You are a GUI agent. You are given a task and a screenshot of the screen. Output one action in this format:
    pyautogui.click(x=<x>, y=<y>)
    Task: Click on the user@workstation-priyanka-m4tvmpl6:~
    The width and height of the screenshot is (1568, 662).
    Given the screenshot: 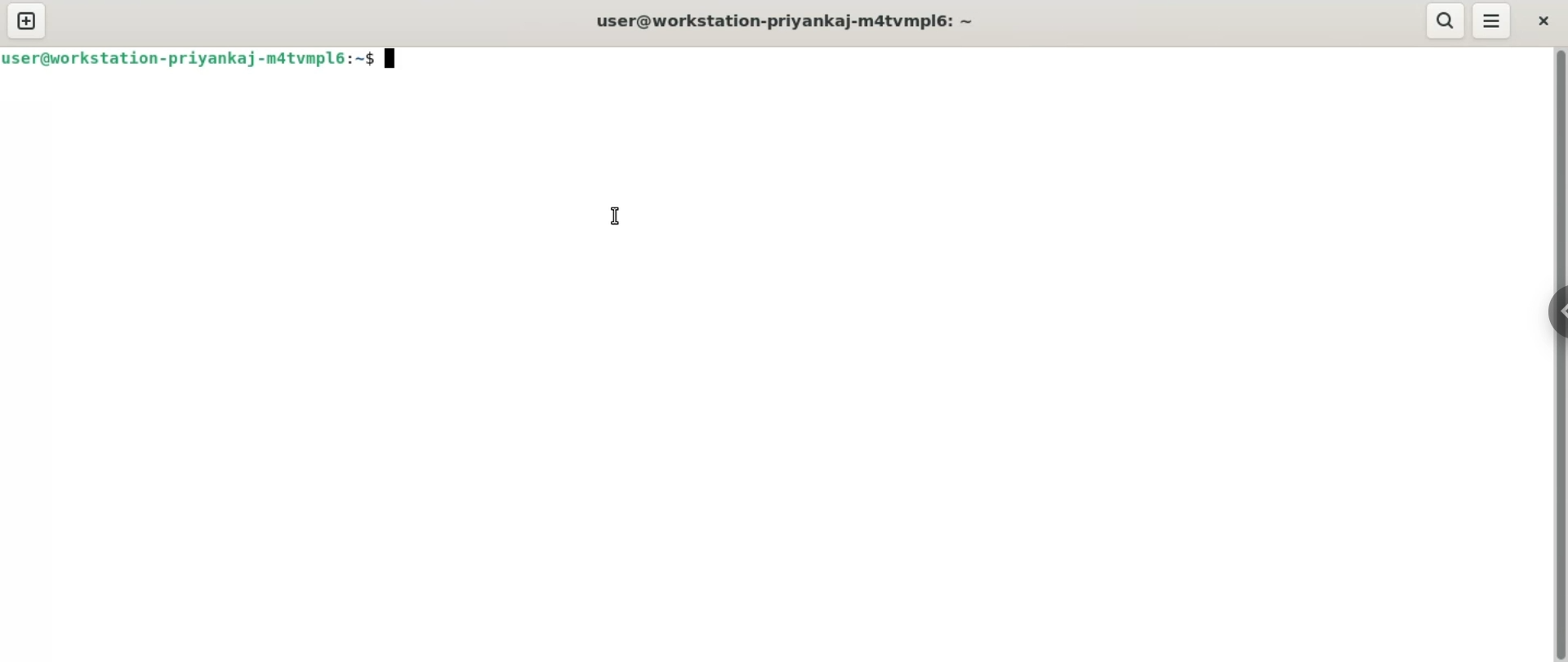 What is the action you would take?
    pyautogui.click(x=791, y=23)
    